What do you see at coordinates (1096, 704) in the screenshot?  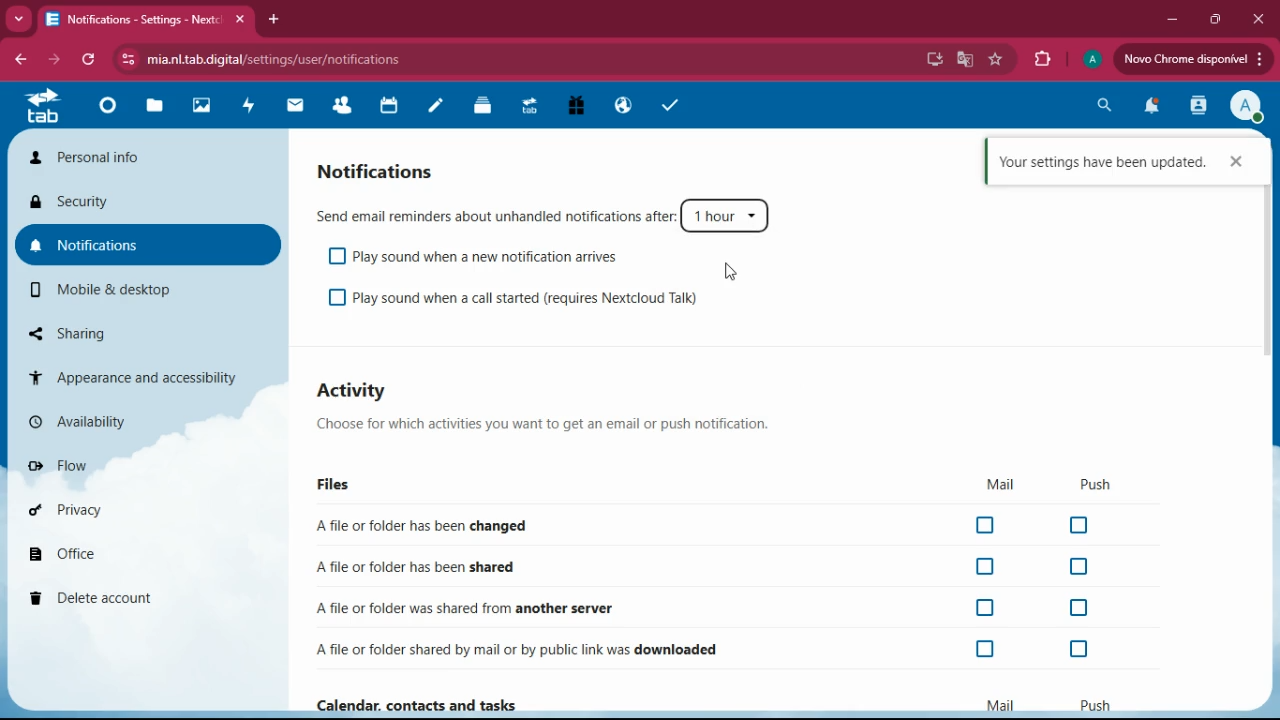 I see `push` at bounding box center [1096, 704].